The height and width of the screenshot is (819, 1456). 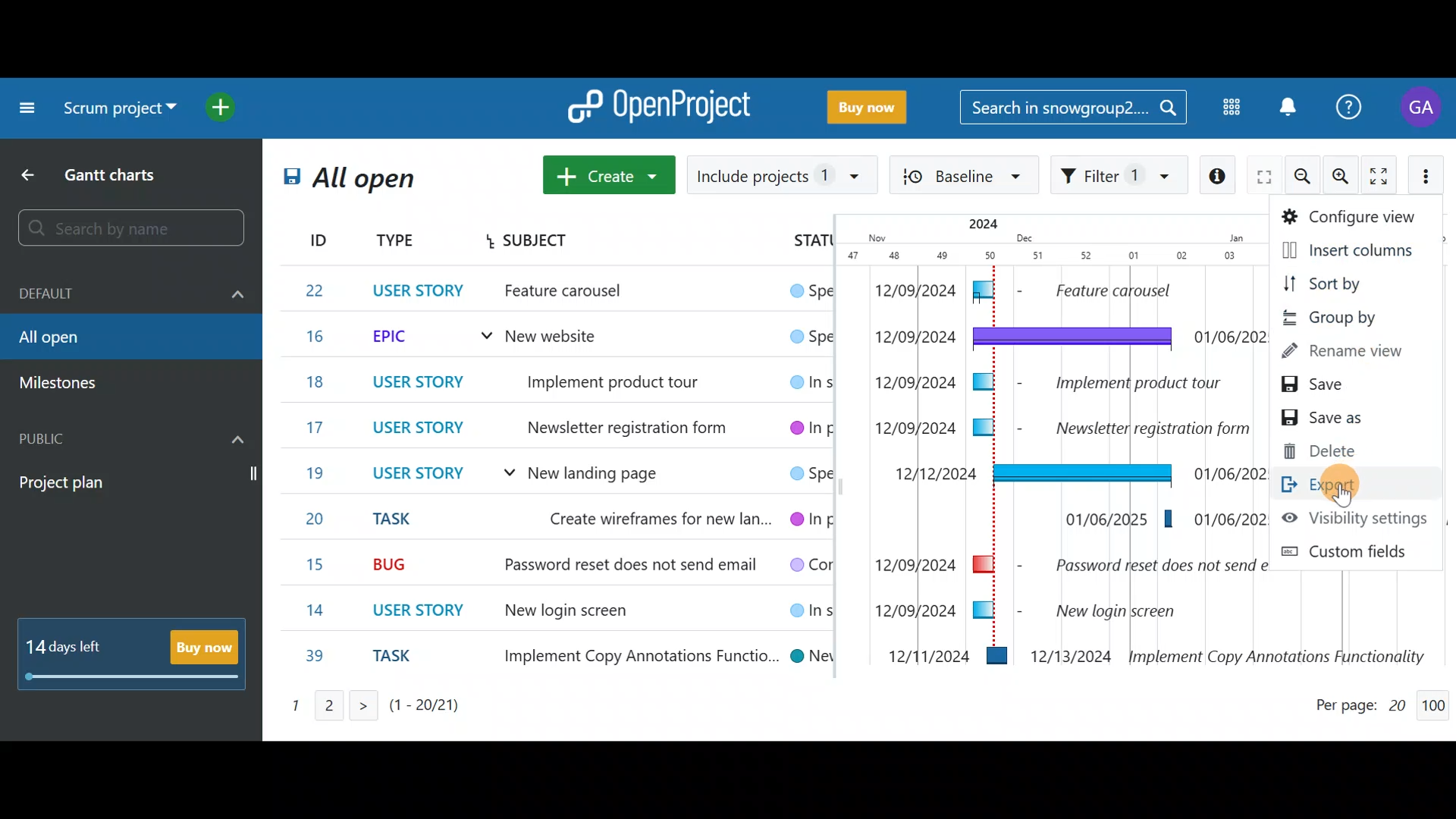 I want to click on 1 [2|>] (11-2021), so click(x=367, y=705).